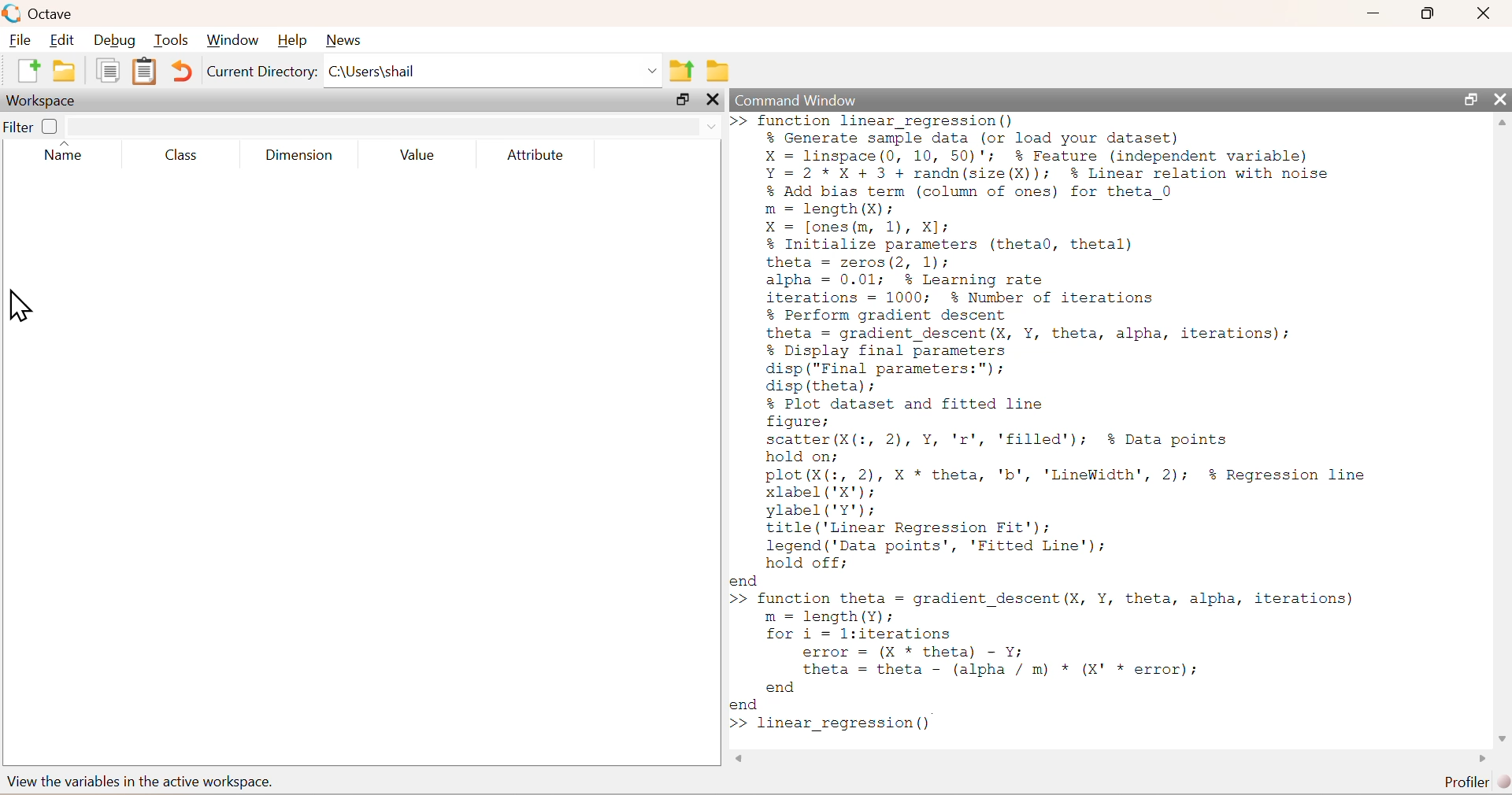  I want to click on Debug, so click(115, 39).